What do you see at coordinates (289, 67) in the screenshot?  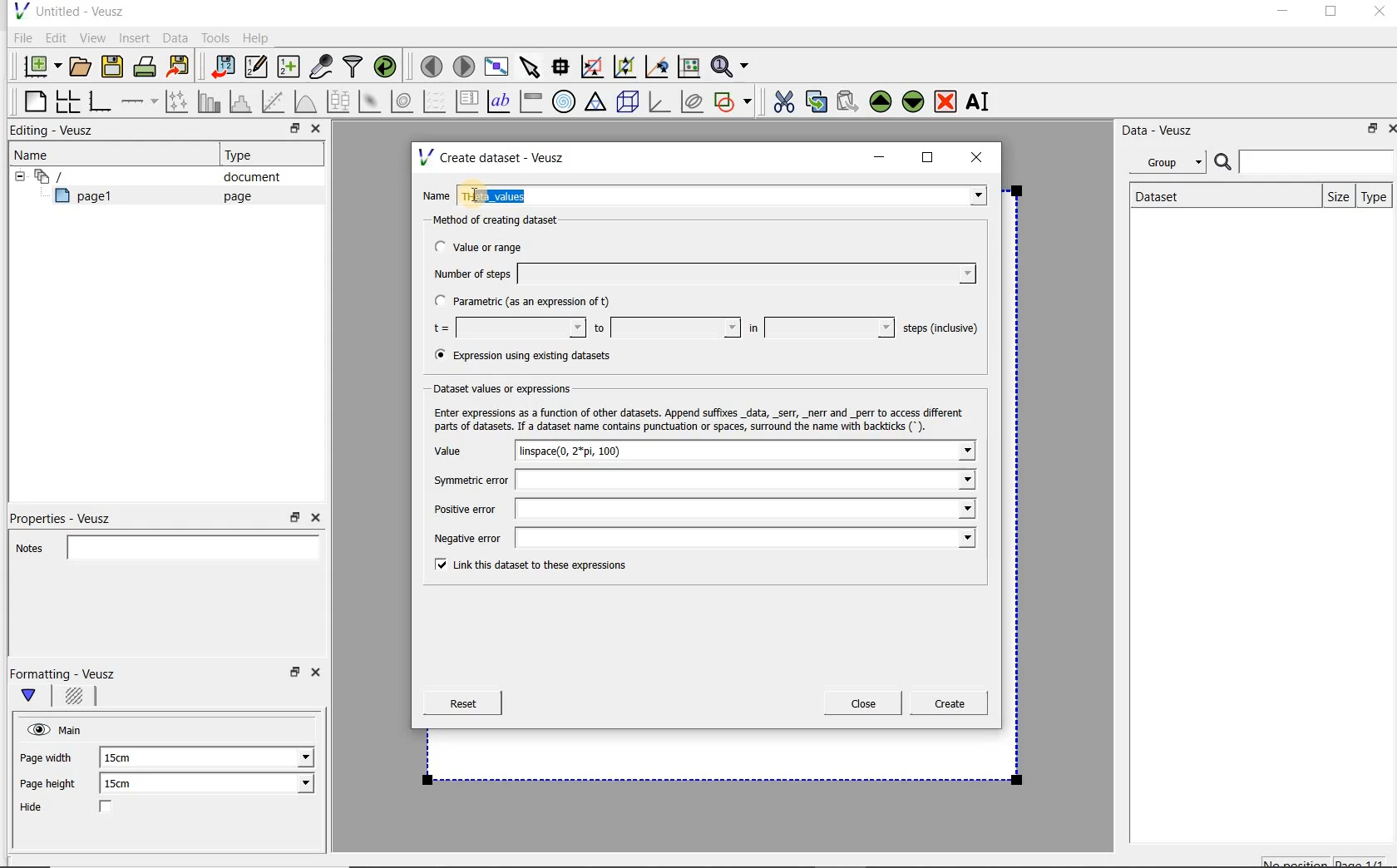 I see `create new datasets using ranges, parametrically or as functions of existing datasets` at bounding box center [289, 67].